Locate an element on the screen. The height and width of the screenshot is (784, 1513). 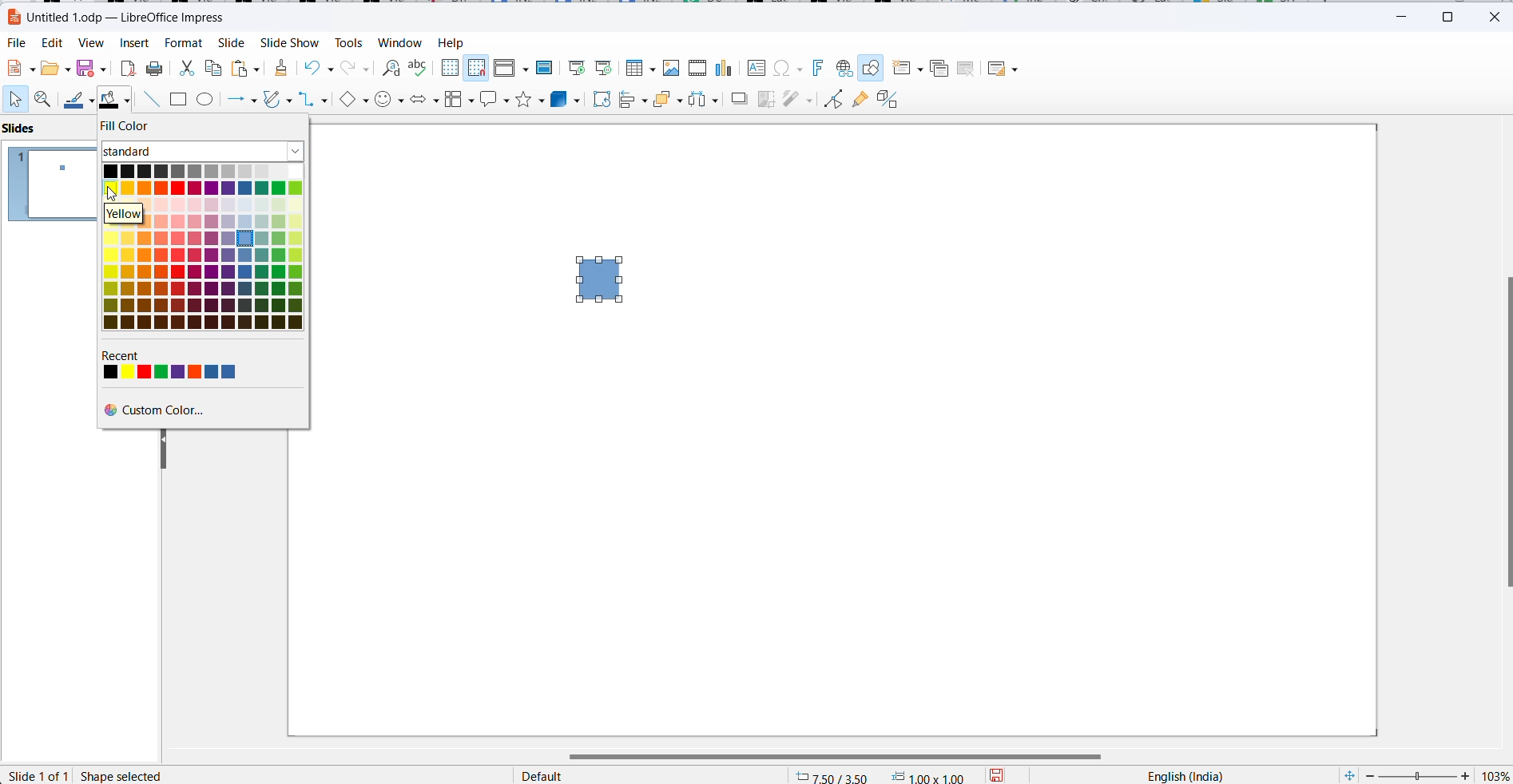
zoom slider is located at coordinates (1417, 775).